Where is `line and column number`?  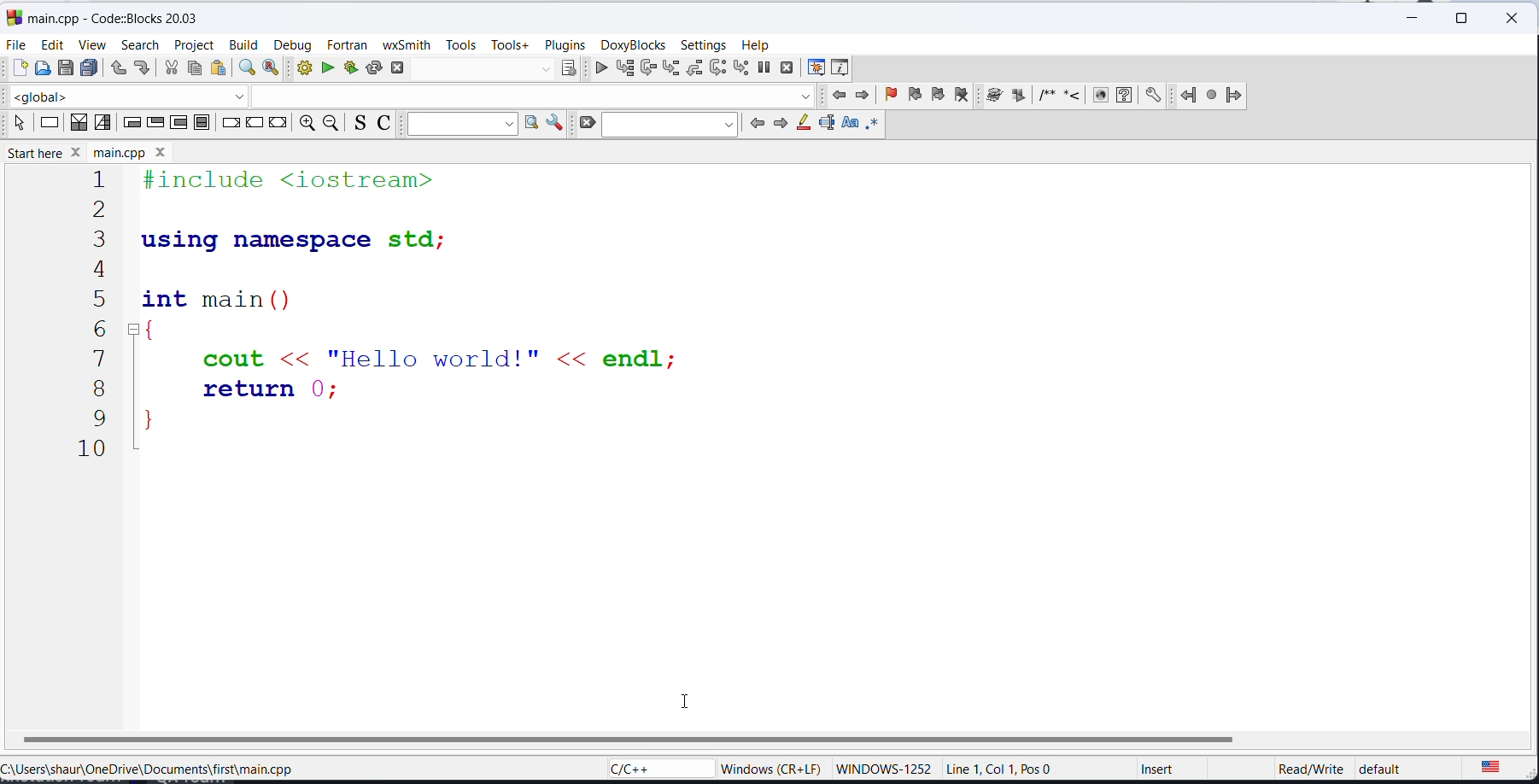
line and column number is located at coordinates (1002, 769).